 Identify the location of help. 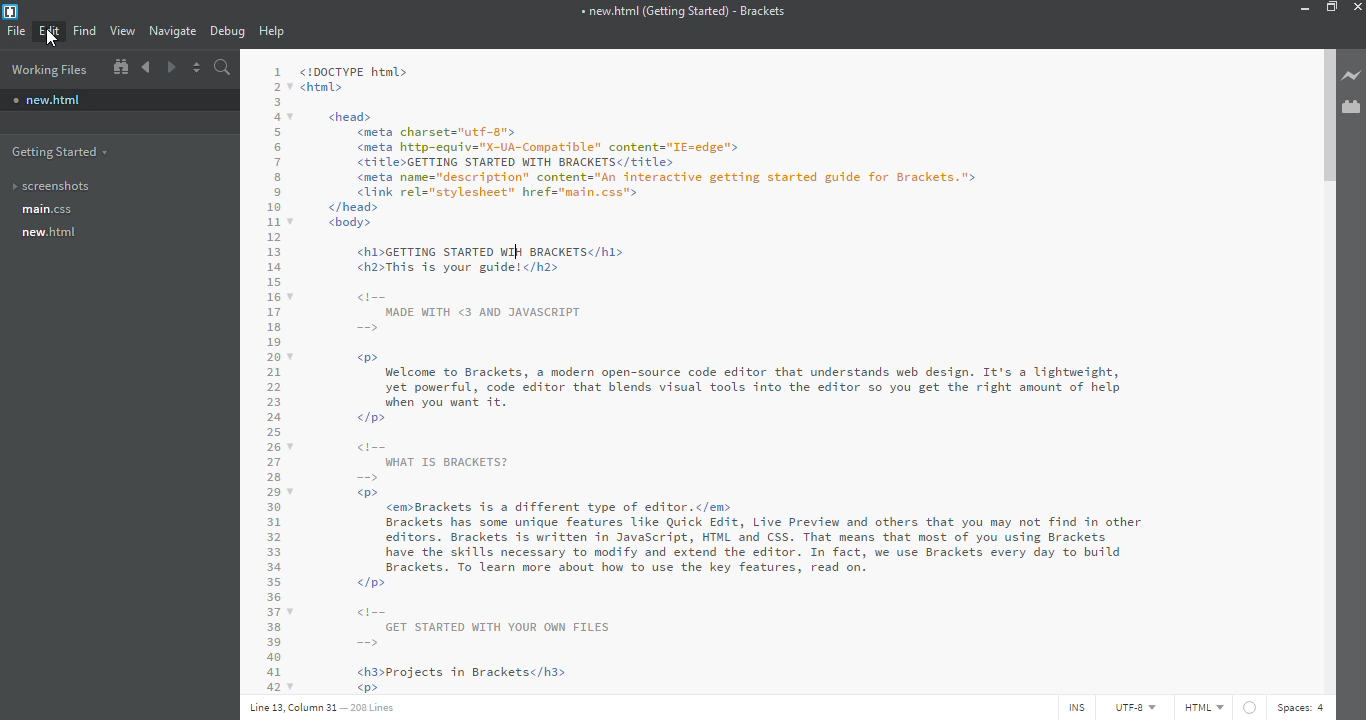
(271, 31).